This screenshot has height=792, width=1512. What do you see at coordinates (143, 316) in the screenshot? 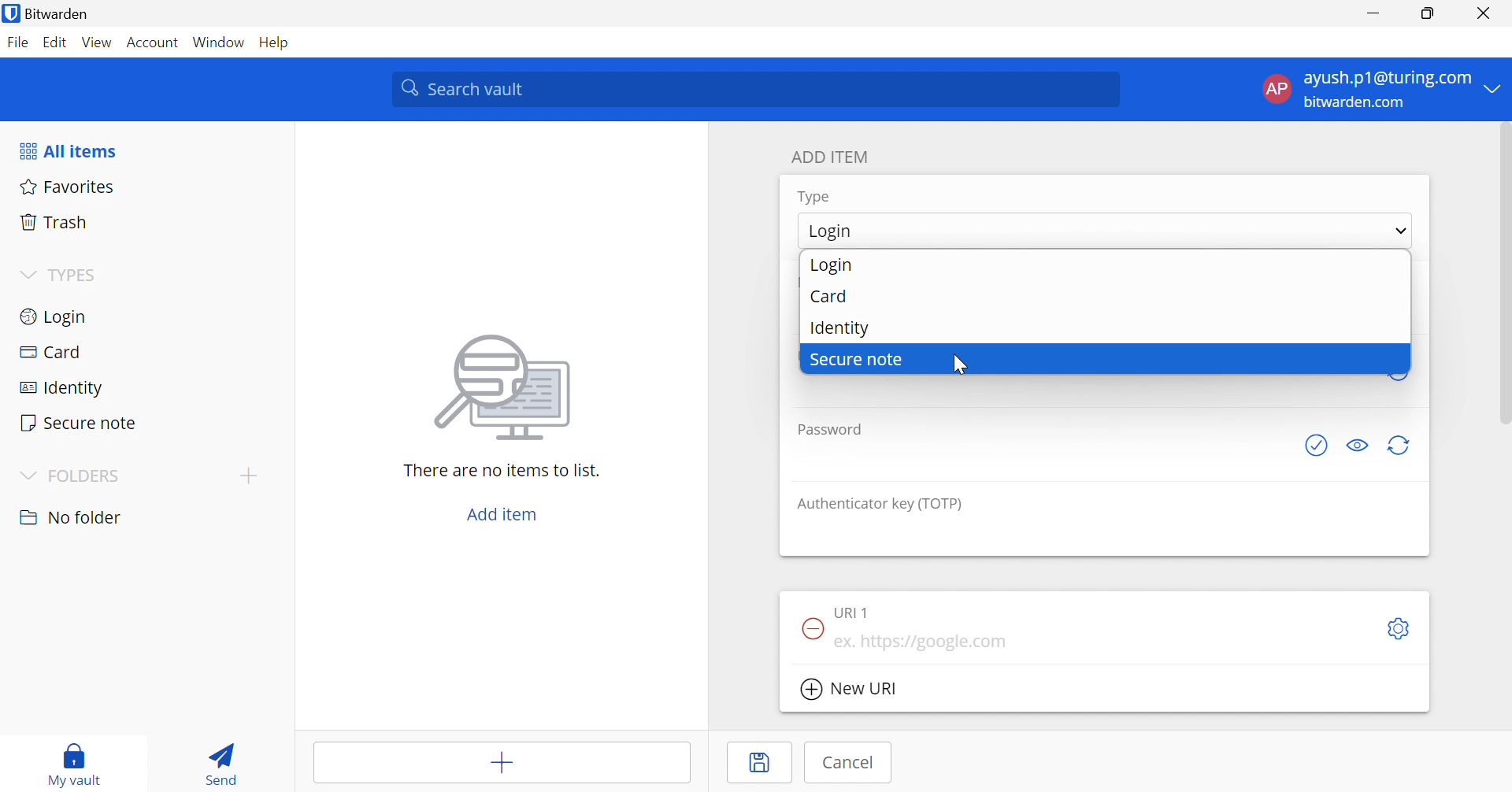
I see `Login` at bounding box center [143, 316].